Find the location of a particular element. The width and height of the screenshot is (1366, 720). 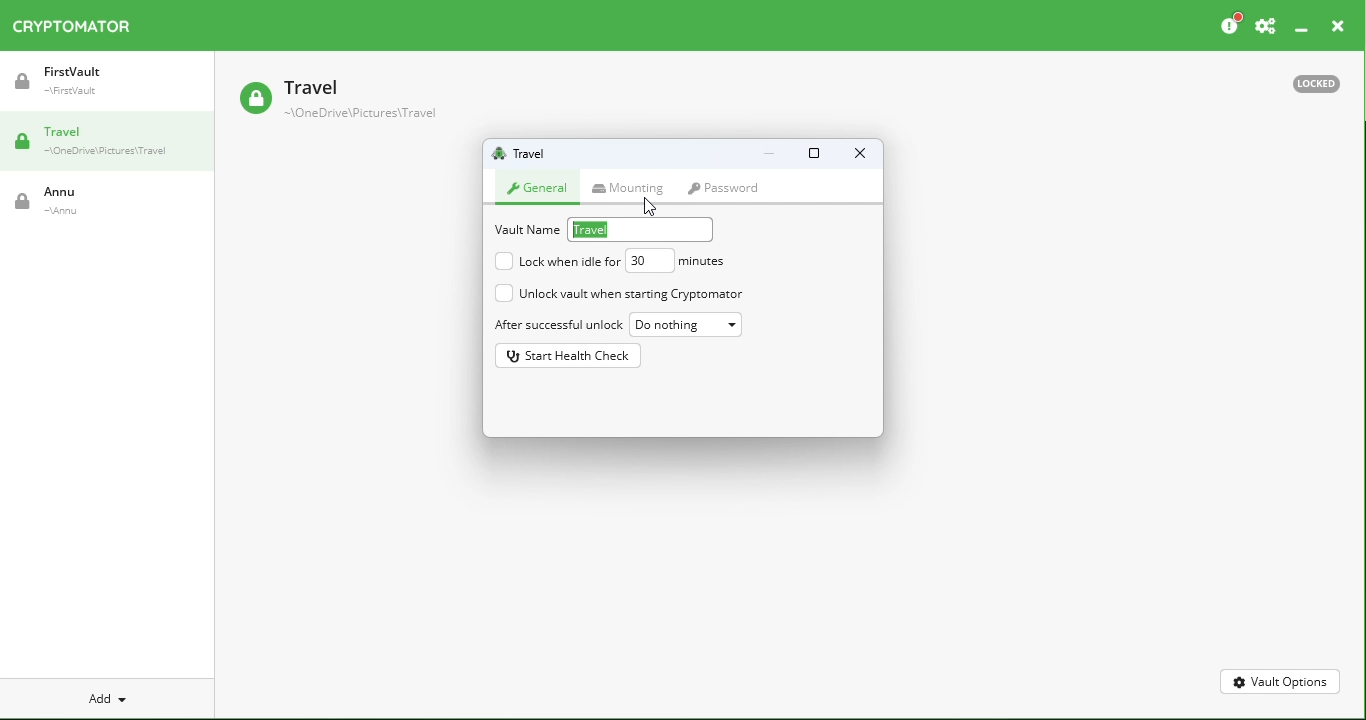

Drop down menu is located at coordinates (689, 325).